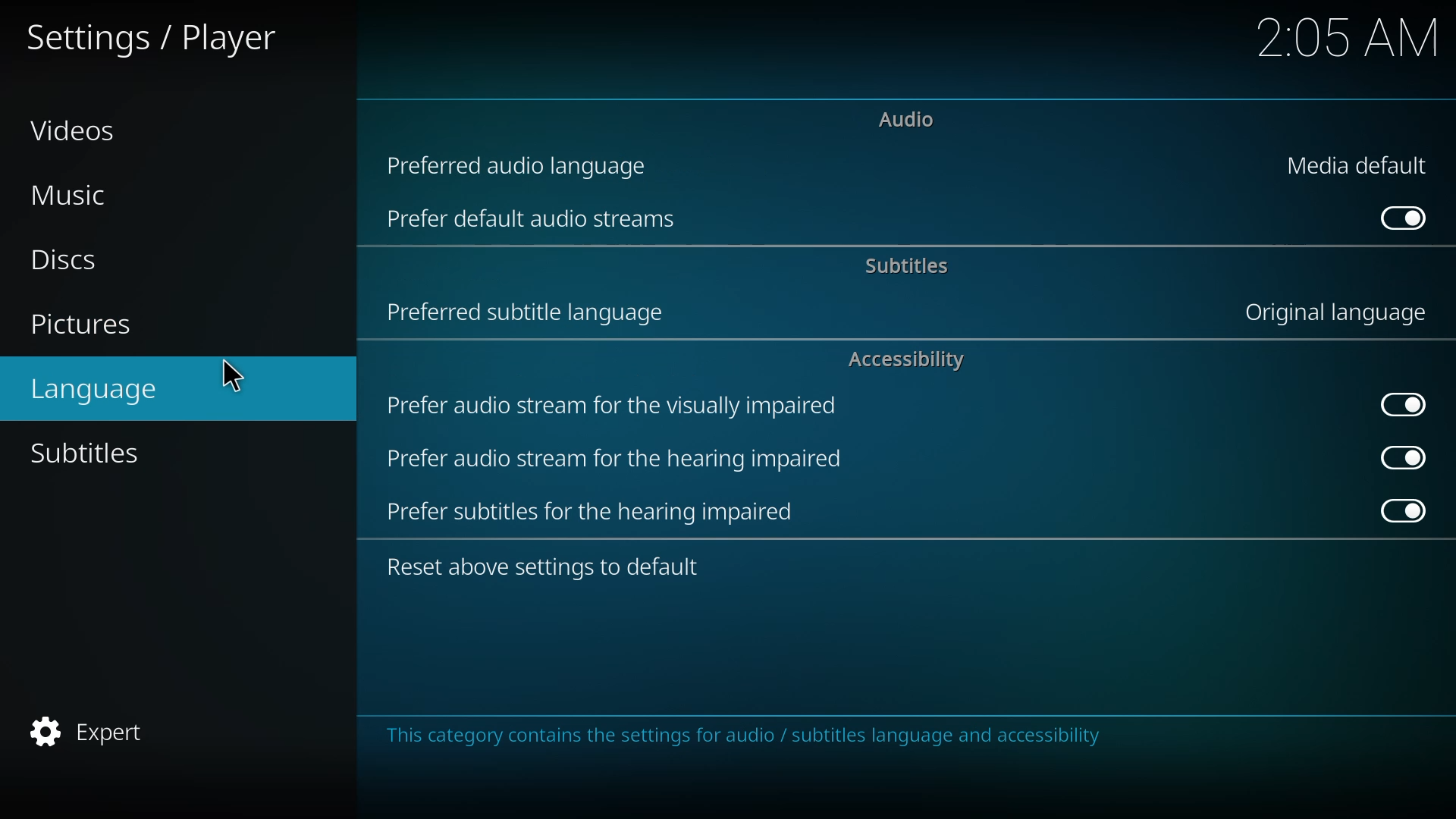 Image resolution: width=1456 pixels, height=819 pixels. I want to click on enabled, so click(1406, 218).